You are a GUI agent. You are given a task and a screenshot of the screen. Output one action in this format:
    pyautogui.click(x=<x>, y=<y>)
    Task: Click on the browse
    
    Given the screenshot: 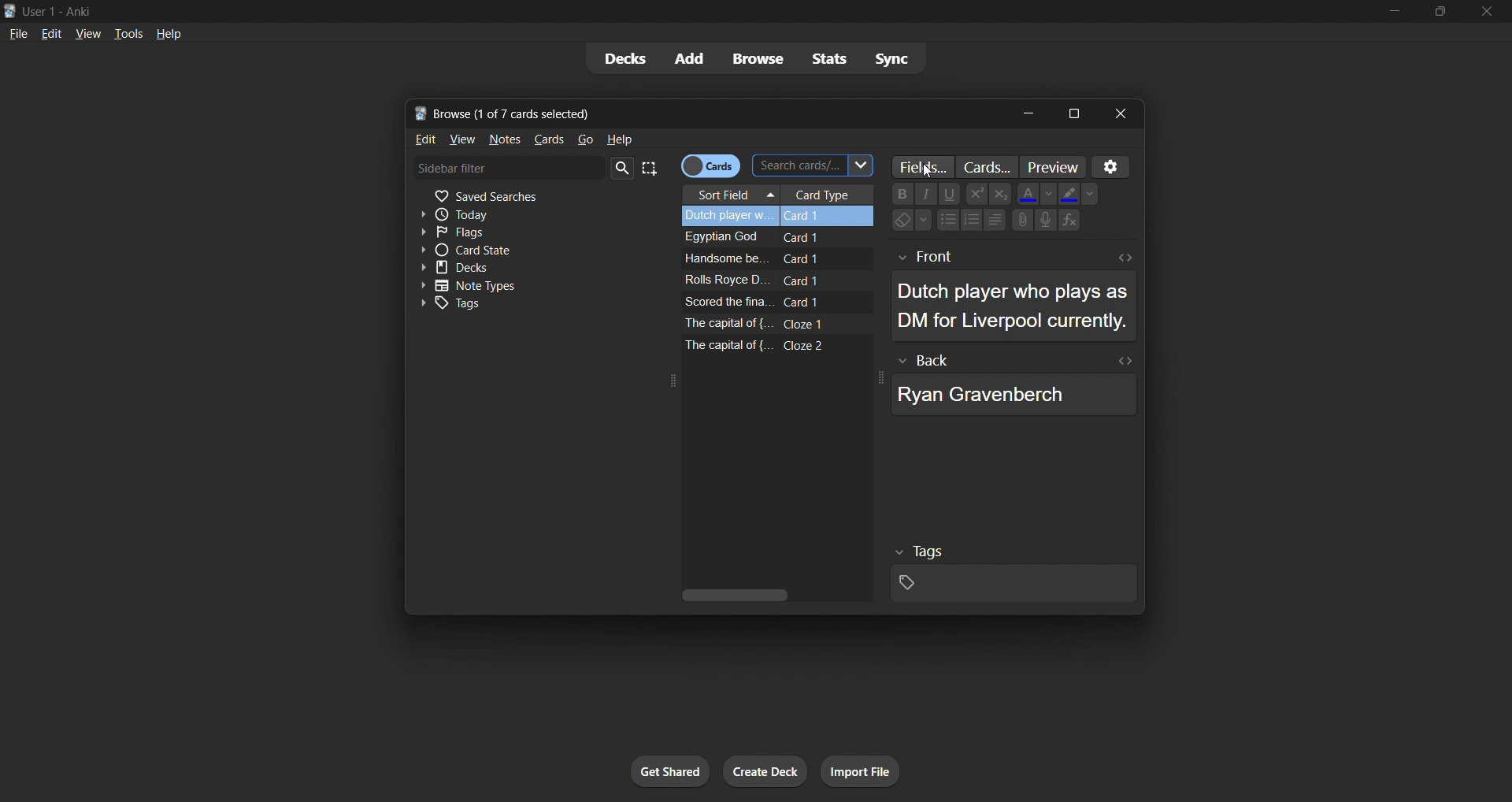 What is the action you would take?
    pyautogui.click(x=757, y=60)
    